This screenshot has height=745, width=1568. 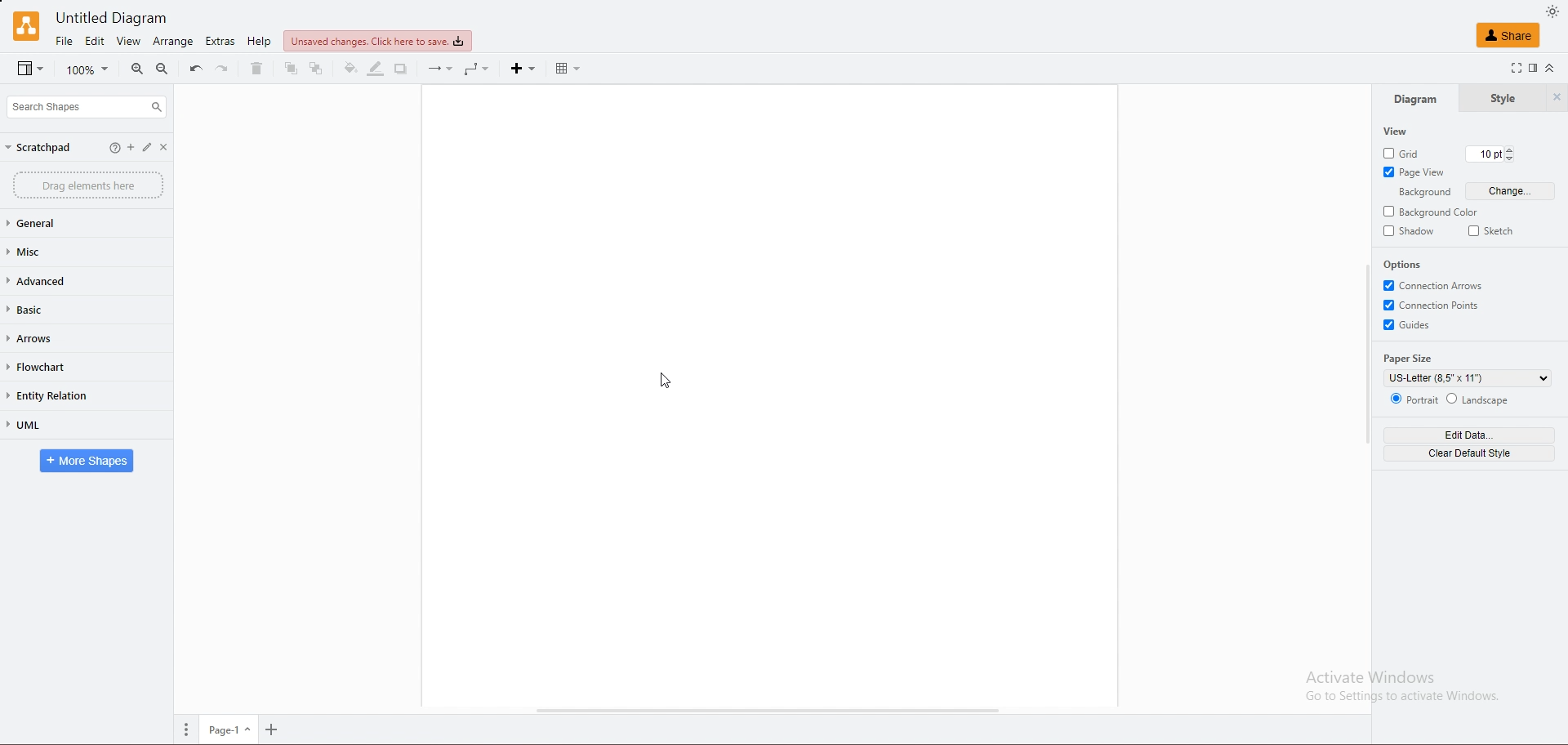 What do you see at coordinates (220, 41) in the screenshot?
I see `extras` at bounding box center [220, 41].